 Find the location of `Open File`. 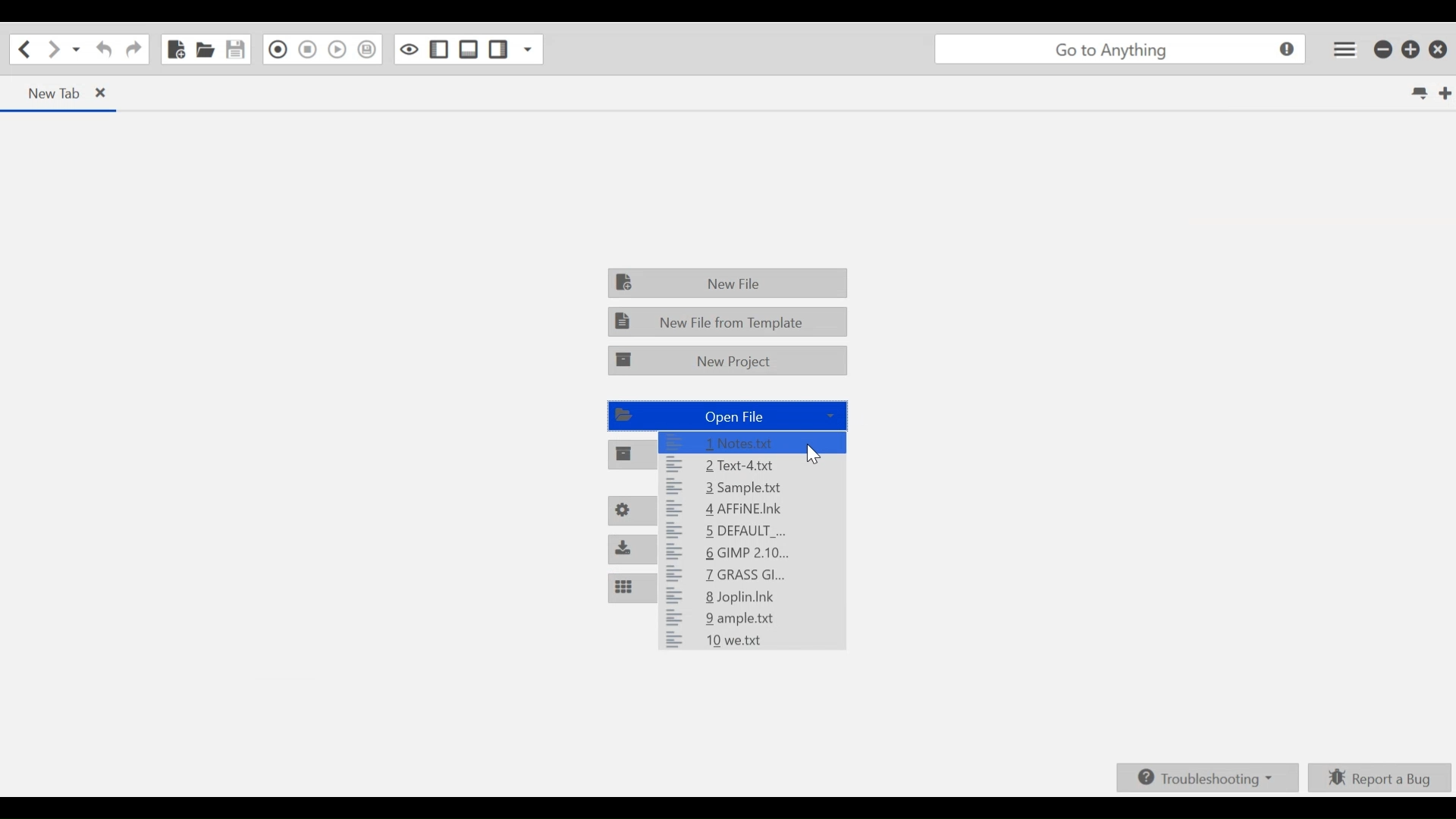

Open File is located at coordinates (726, 416).